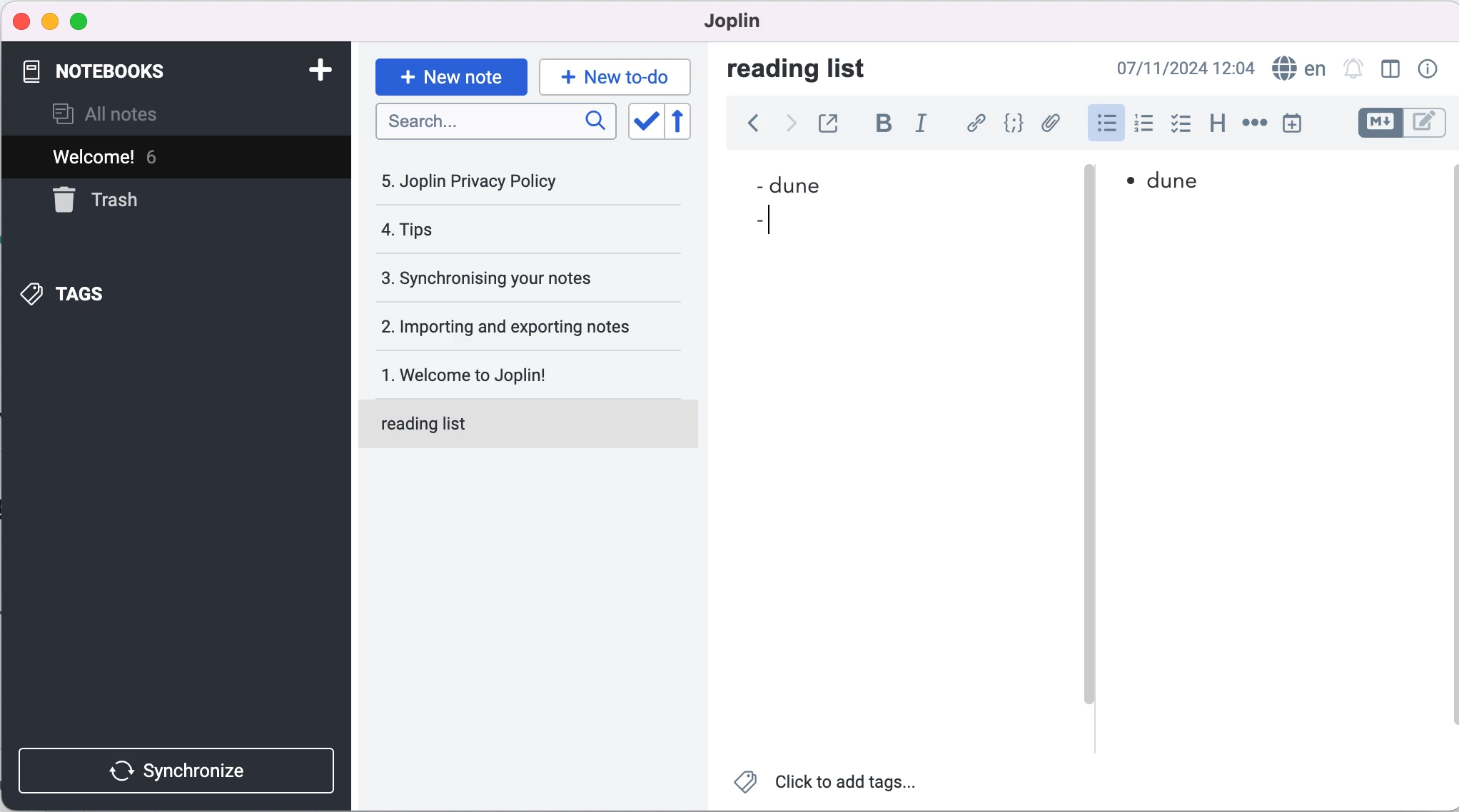 The image size is (1459, 812). I want to click on toggle sort order field, so click(646, 123).